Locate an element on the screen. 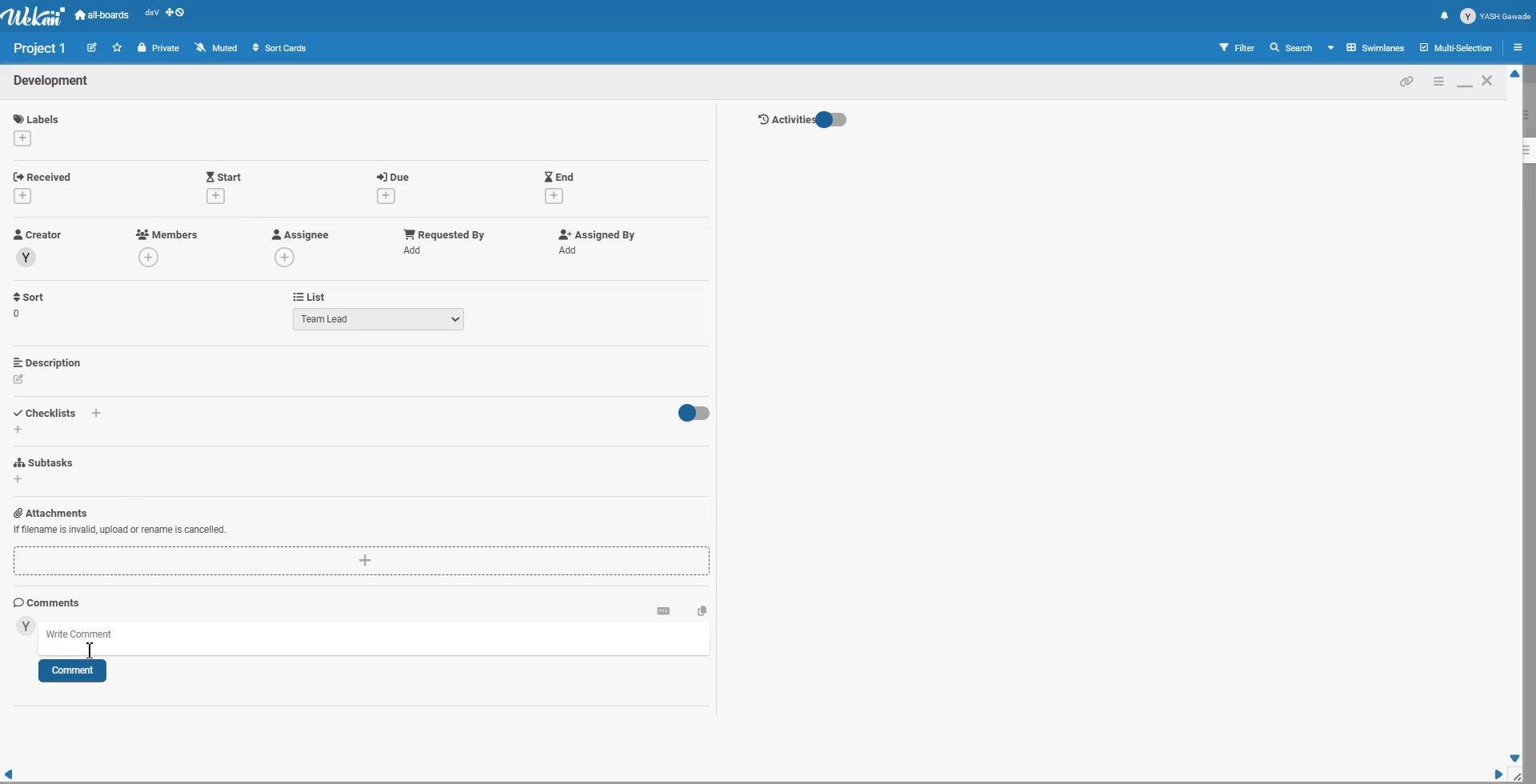 This screenshot has width=1536, height=784. Add Attachments is located at coordinates (119, 530).